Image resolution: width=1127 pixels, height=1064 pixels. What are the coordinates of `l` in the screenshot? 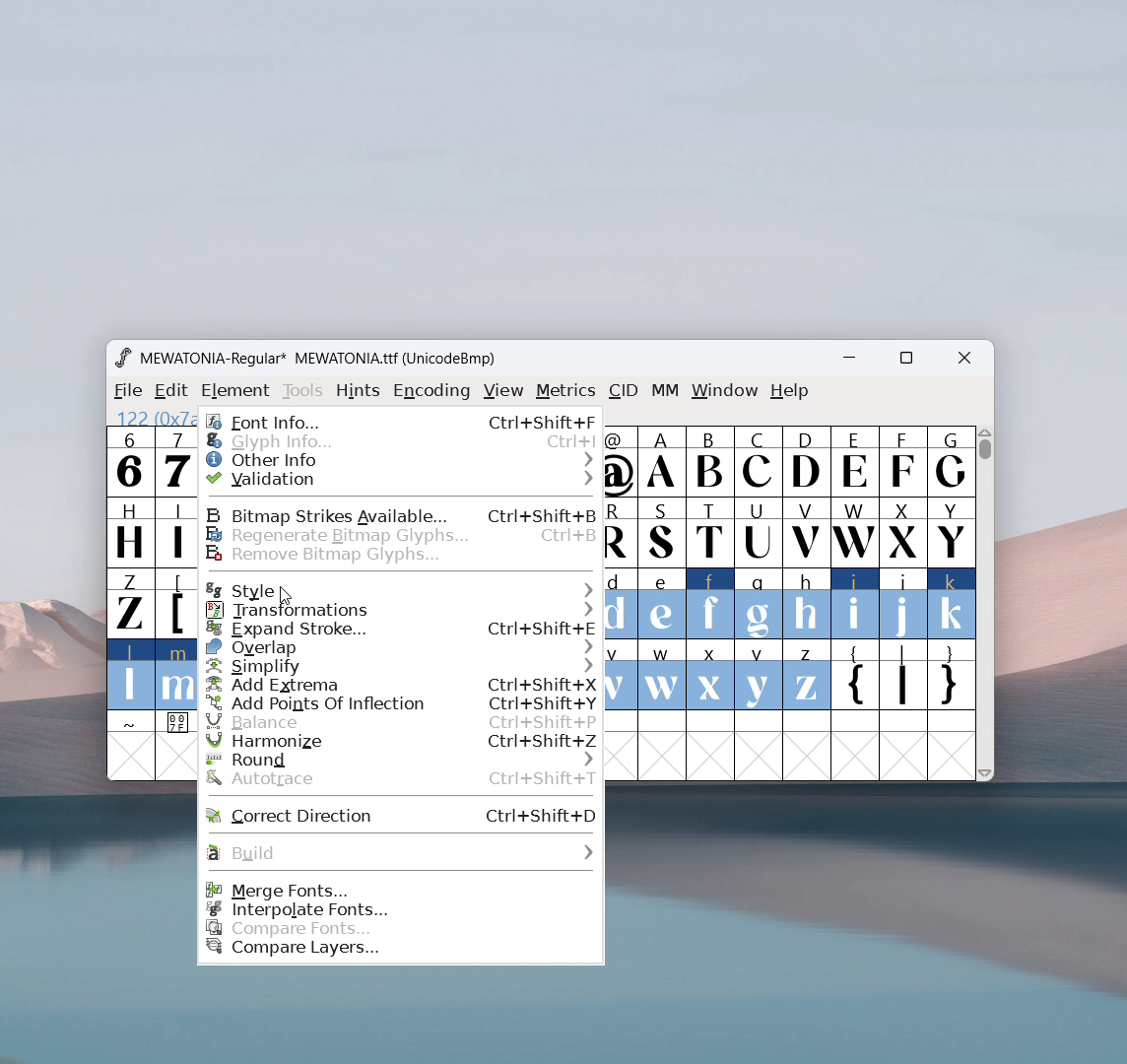 It's located at (131, 674).